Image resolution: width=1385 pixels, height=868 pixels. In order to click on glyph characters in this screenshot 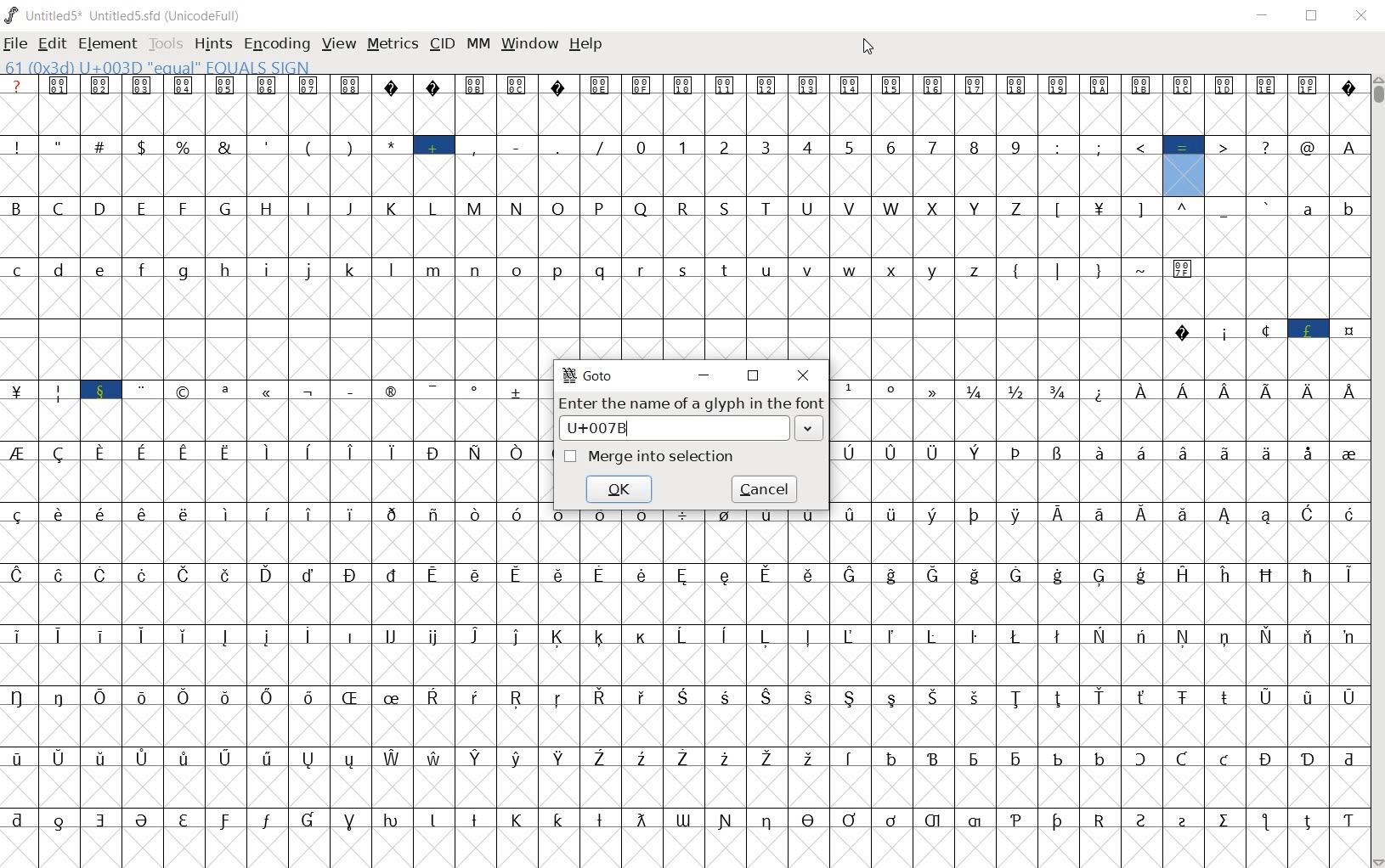, I will do `click(952, 217)`.